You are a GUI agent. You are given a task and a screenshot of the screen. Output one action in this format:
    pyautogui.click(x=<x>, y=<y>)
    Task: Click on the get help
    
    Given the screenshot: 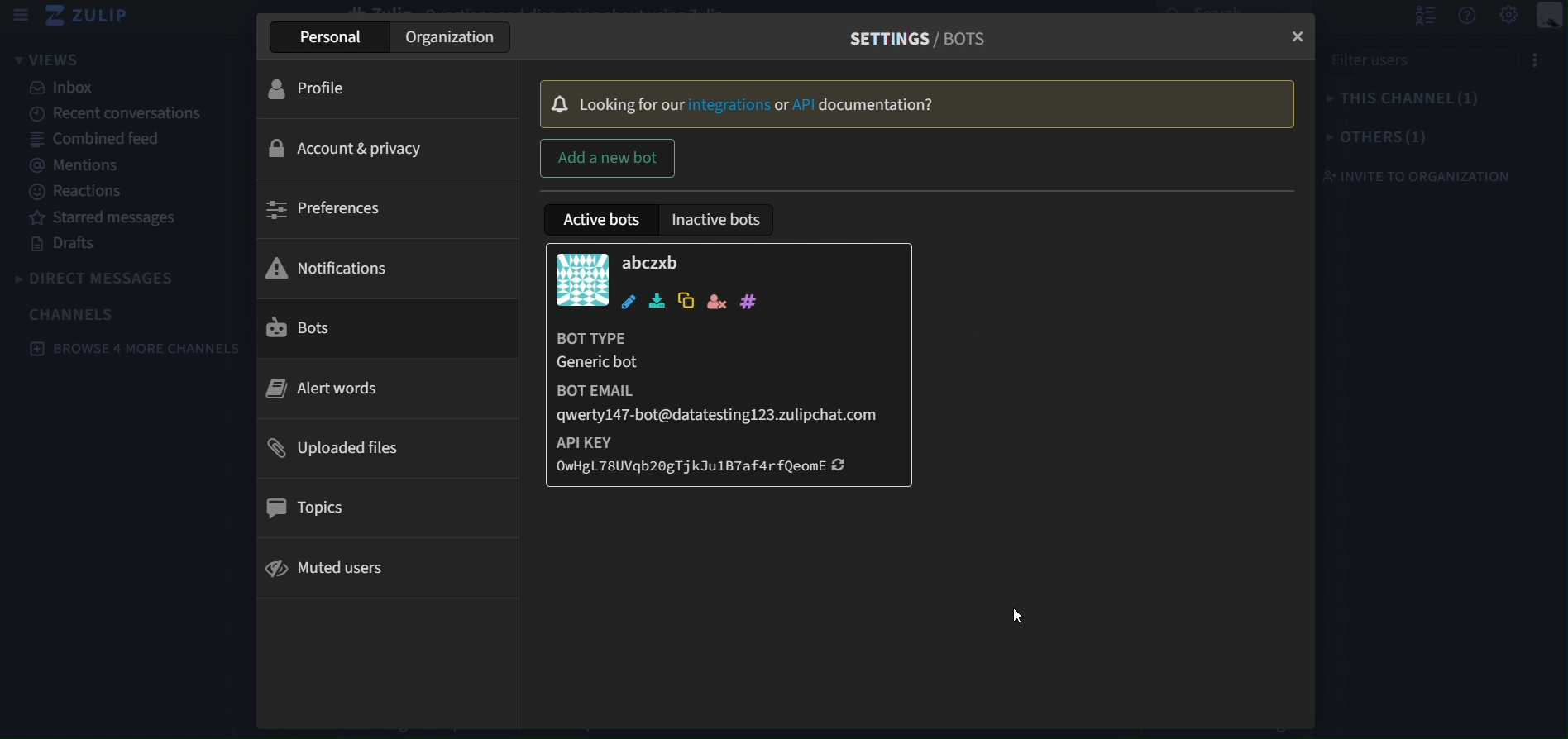 What is the action you would take?
    pyautogui.click(x=1466, y=17)
    